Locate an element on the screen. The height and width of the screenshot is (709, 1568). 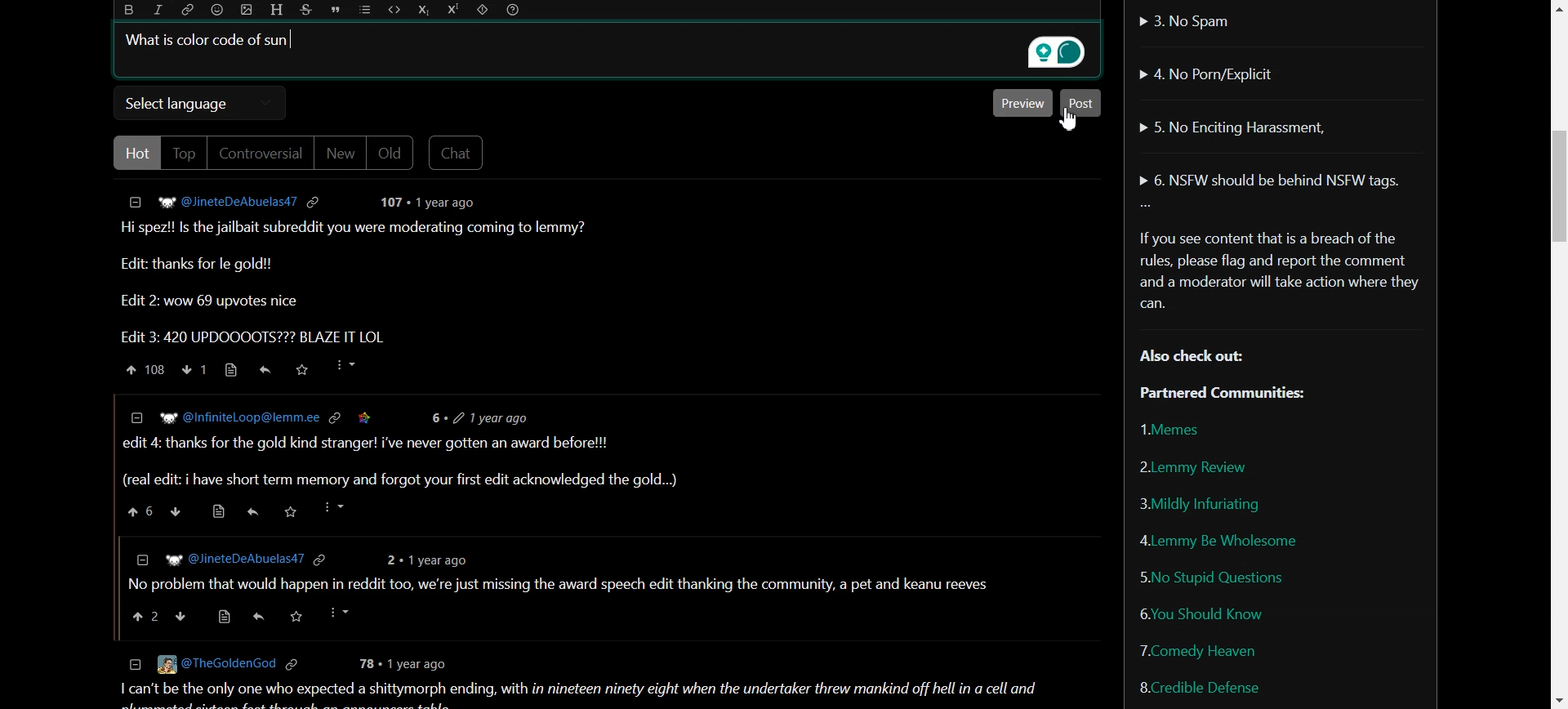
Select language is located at coordinates (202, 104).